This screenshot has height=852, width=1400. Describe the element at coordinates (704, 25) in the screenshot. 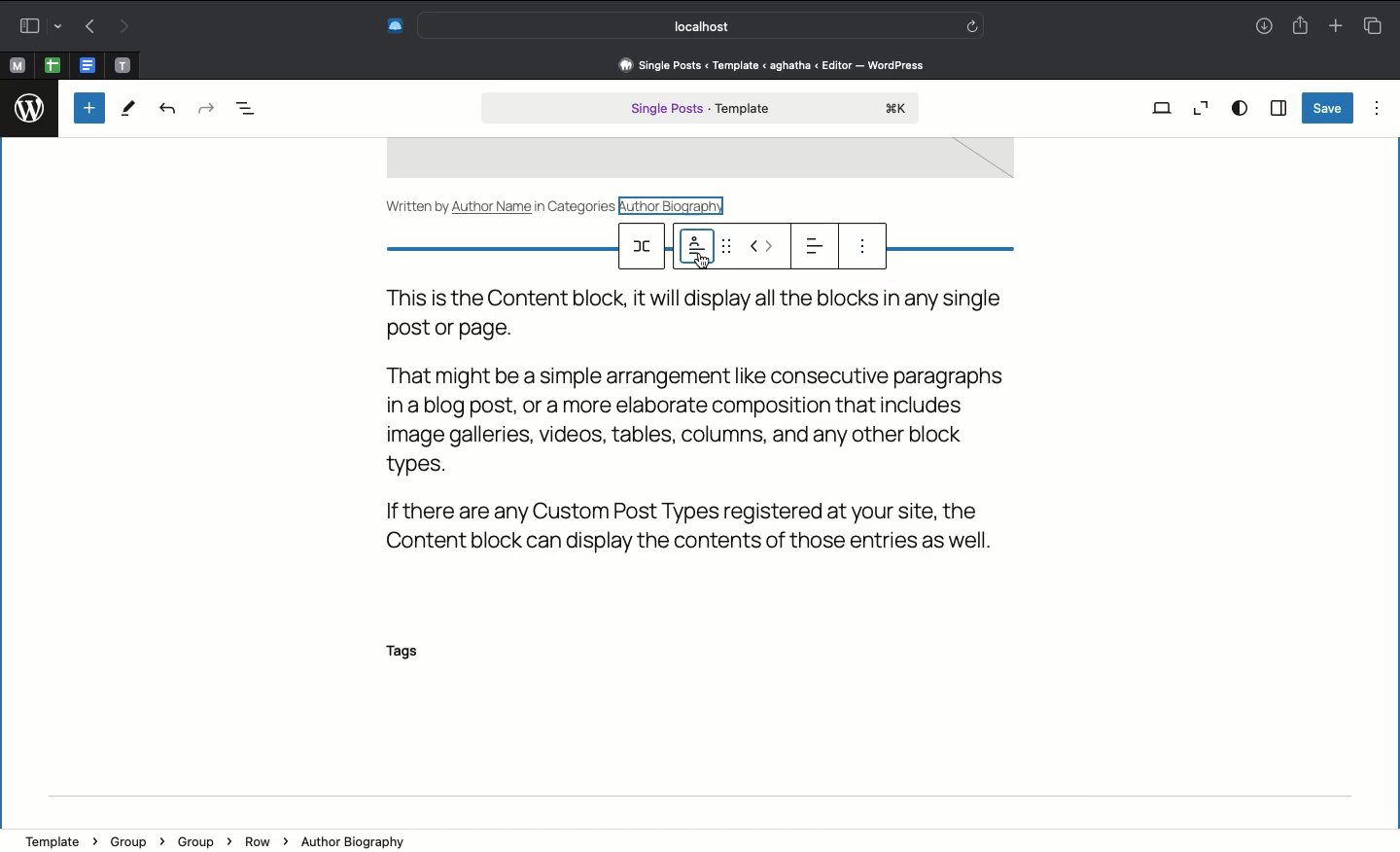

I see `Search bar` at that location.